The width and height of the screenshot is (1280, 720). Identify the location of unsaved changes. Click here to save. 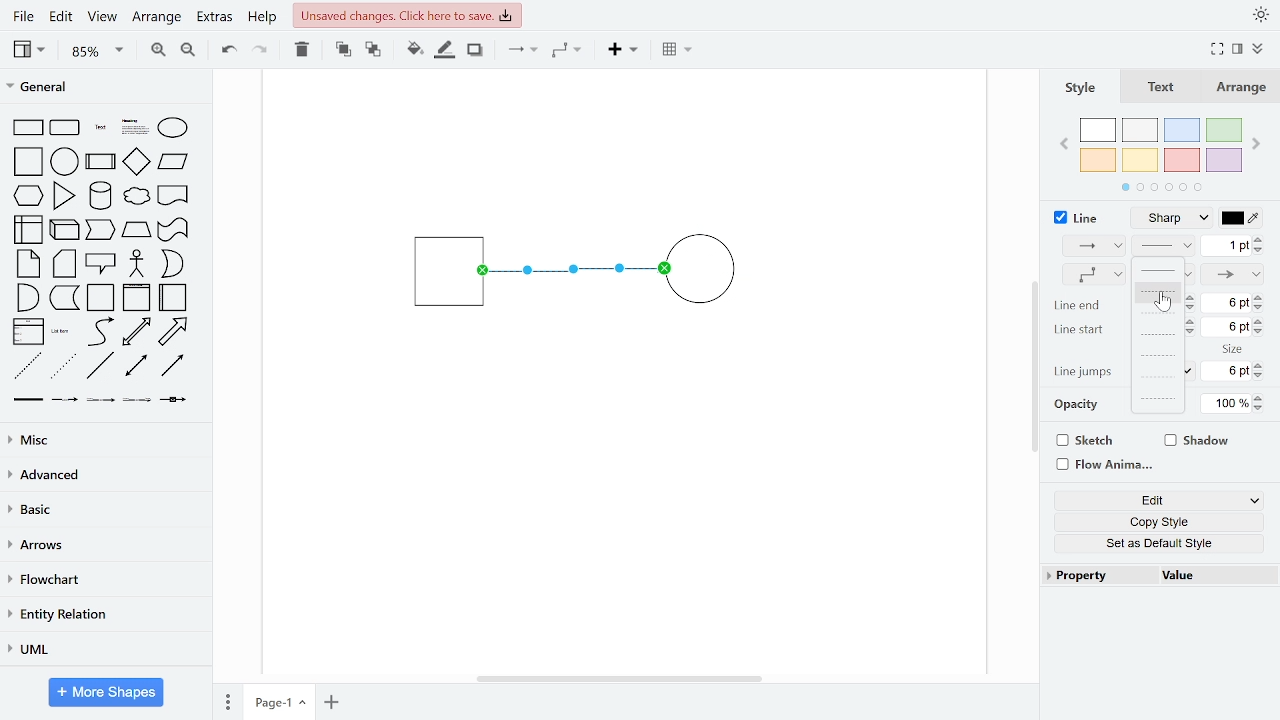
(408, 14).